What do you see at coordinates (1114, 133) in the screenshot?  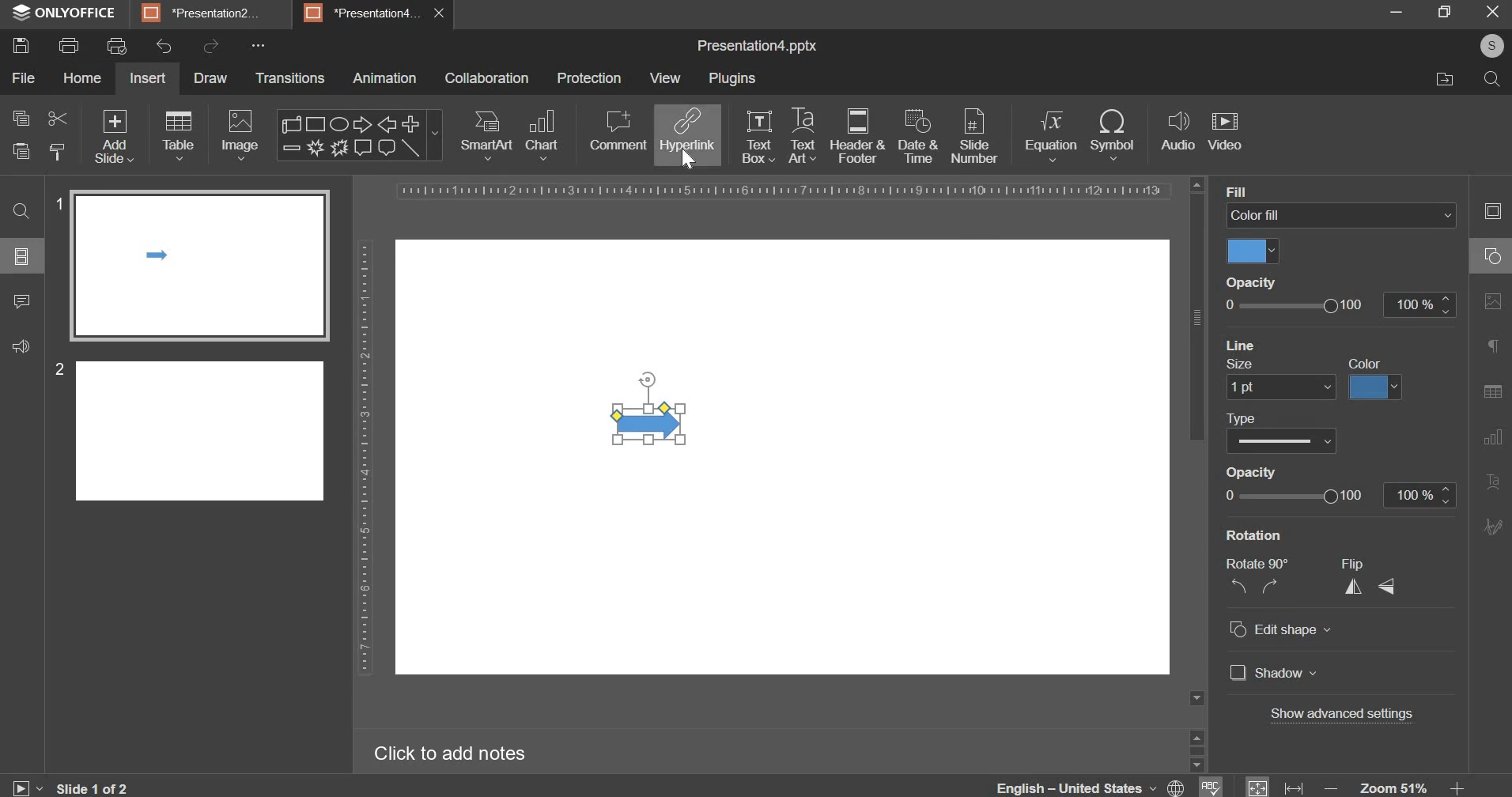 I see `symbol` at bounding box center [1114, 133].